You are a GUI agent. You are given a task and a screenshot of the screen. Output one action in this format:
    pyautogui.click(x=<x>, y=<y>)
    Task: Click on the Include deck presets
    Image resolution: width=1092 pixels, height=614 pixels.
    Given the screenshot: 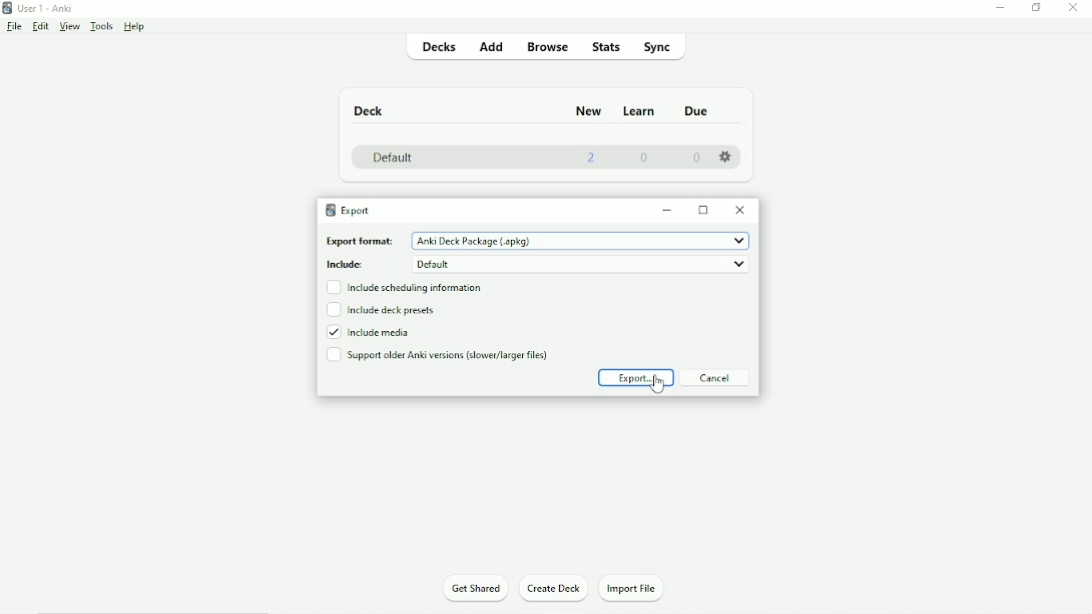 What is the action you would take?
    pyautogui.click(x=384, y=310)
    